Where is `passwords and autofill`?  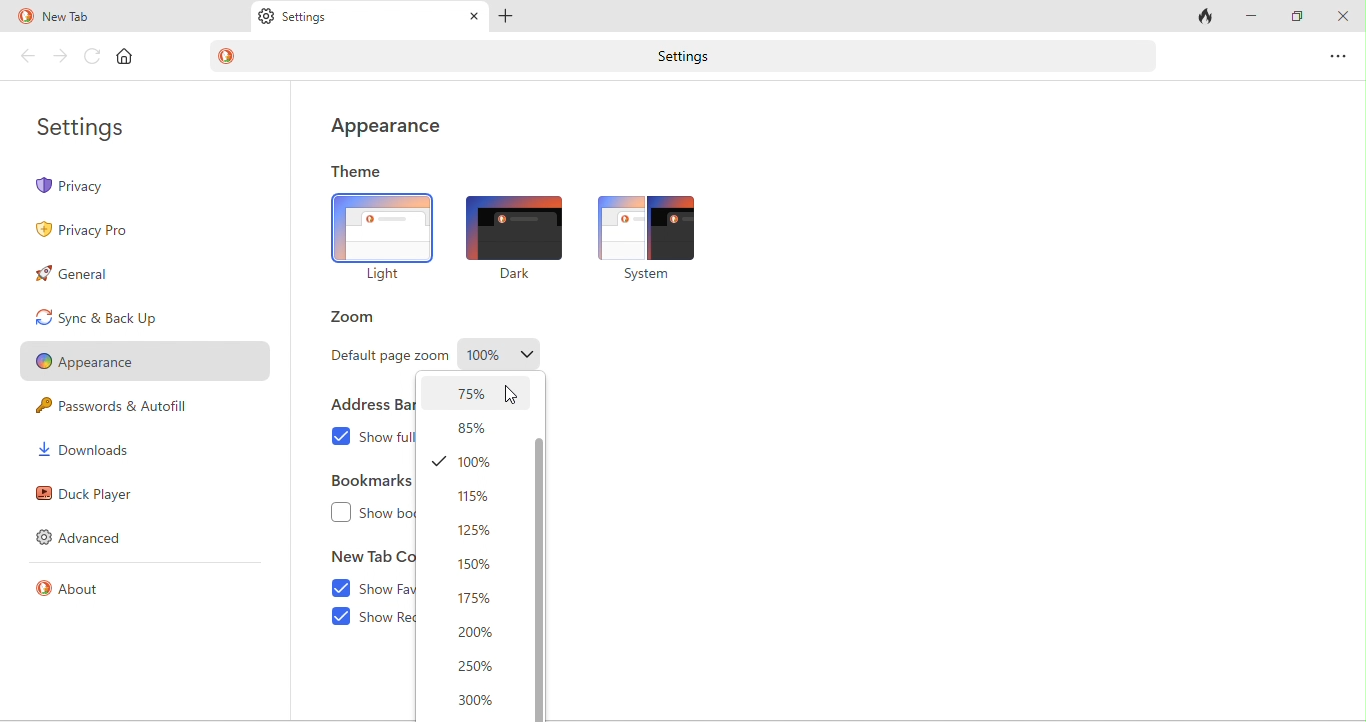
passwords and autofill is located at coordinates (128, 409).